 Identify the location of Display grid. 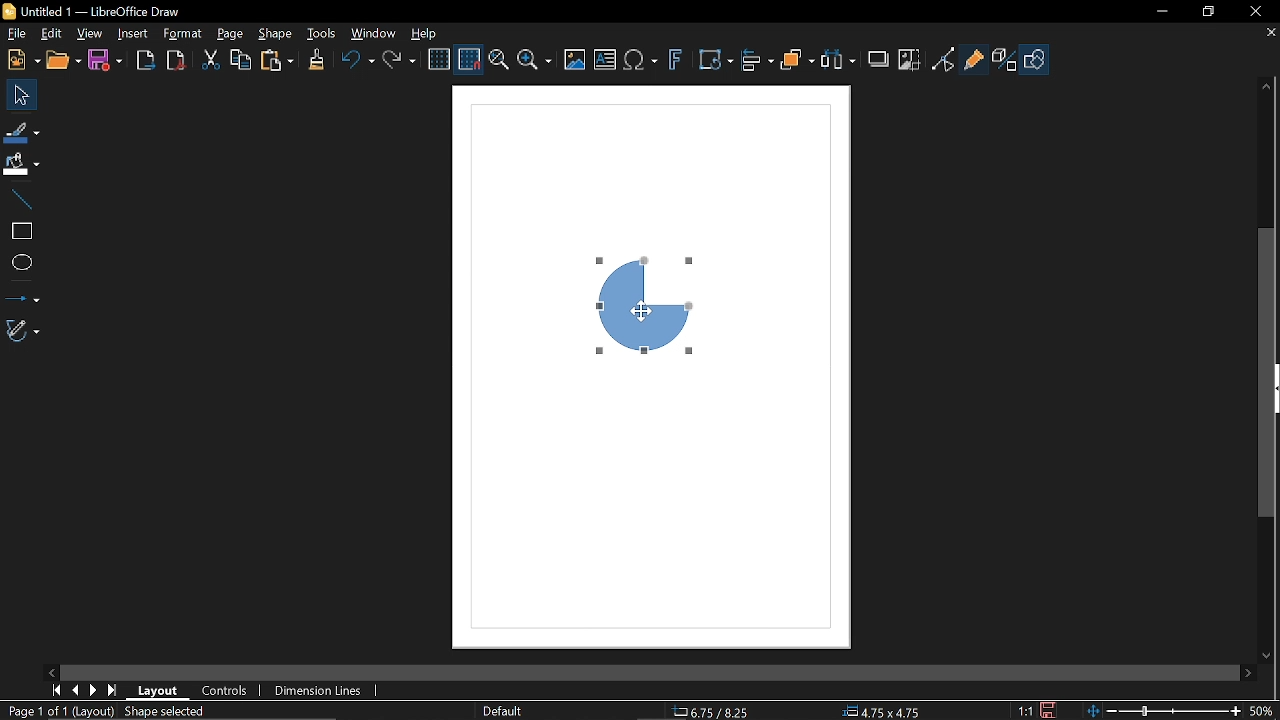
(440, 58).